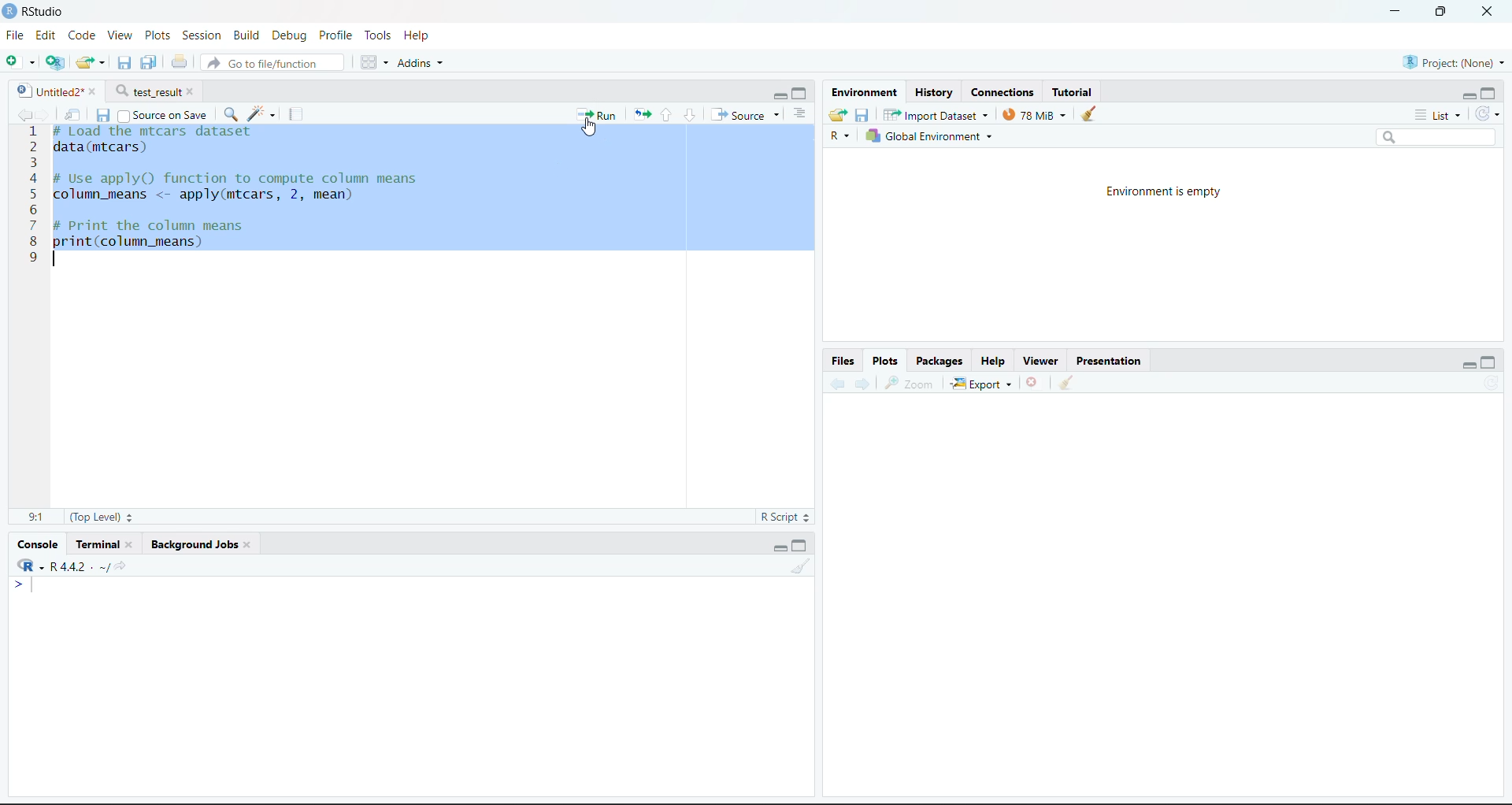 The image size is (1512, 805). I want to click on R, so click(27, 566).